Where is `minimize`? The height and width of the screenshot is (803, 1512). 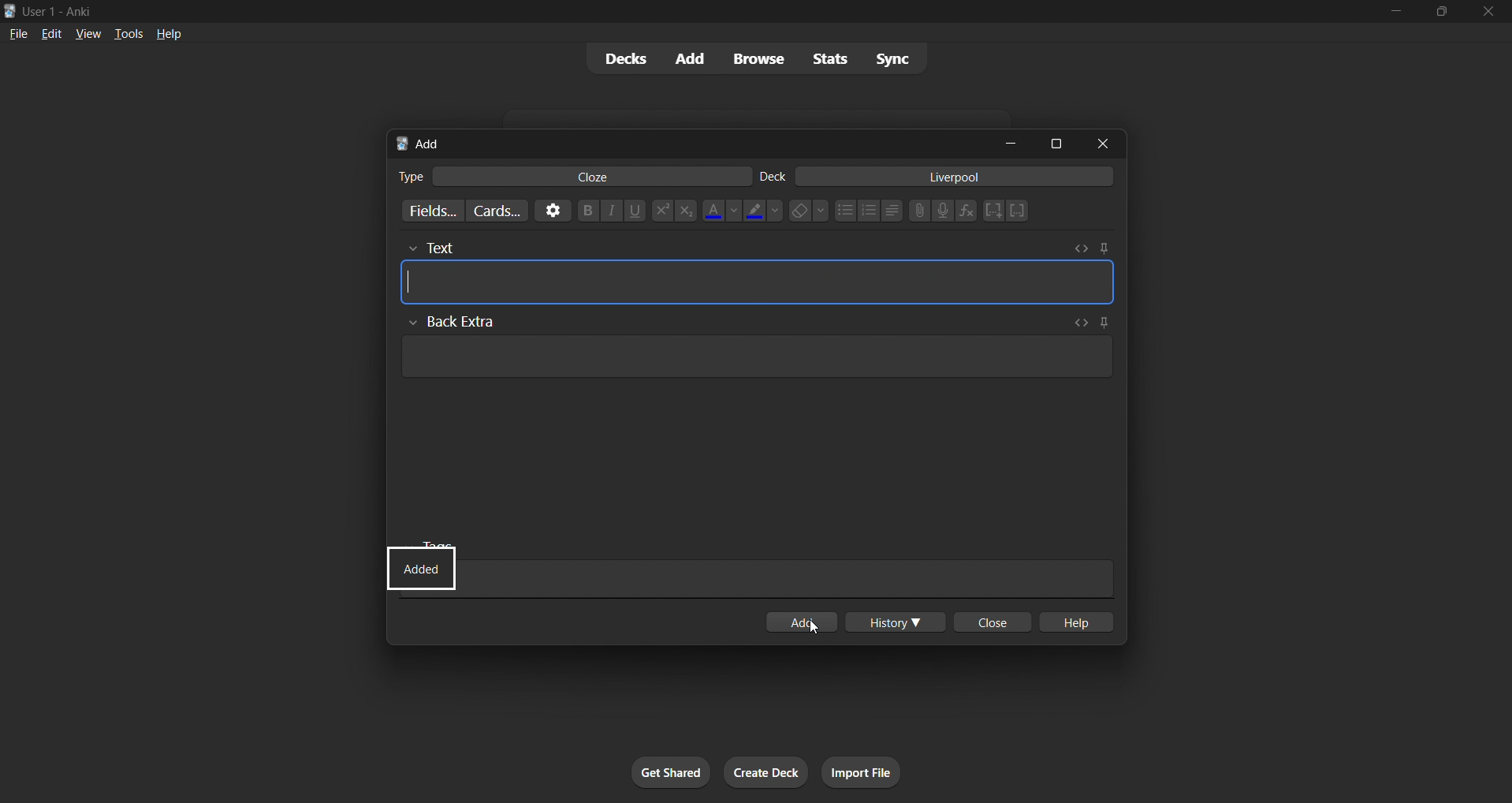 minimize is located at coordinates (1002, 142).